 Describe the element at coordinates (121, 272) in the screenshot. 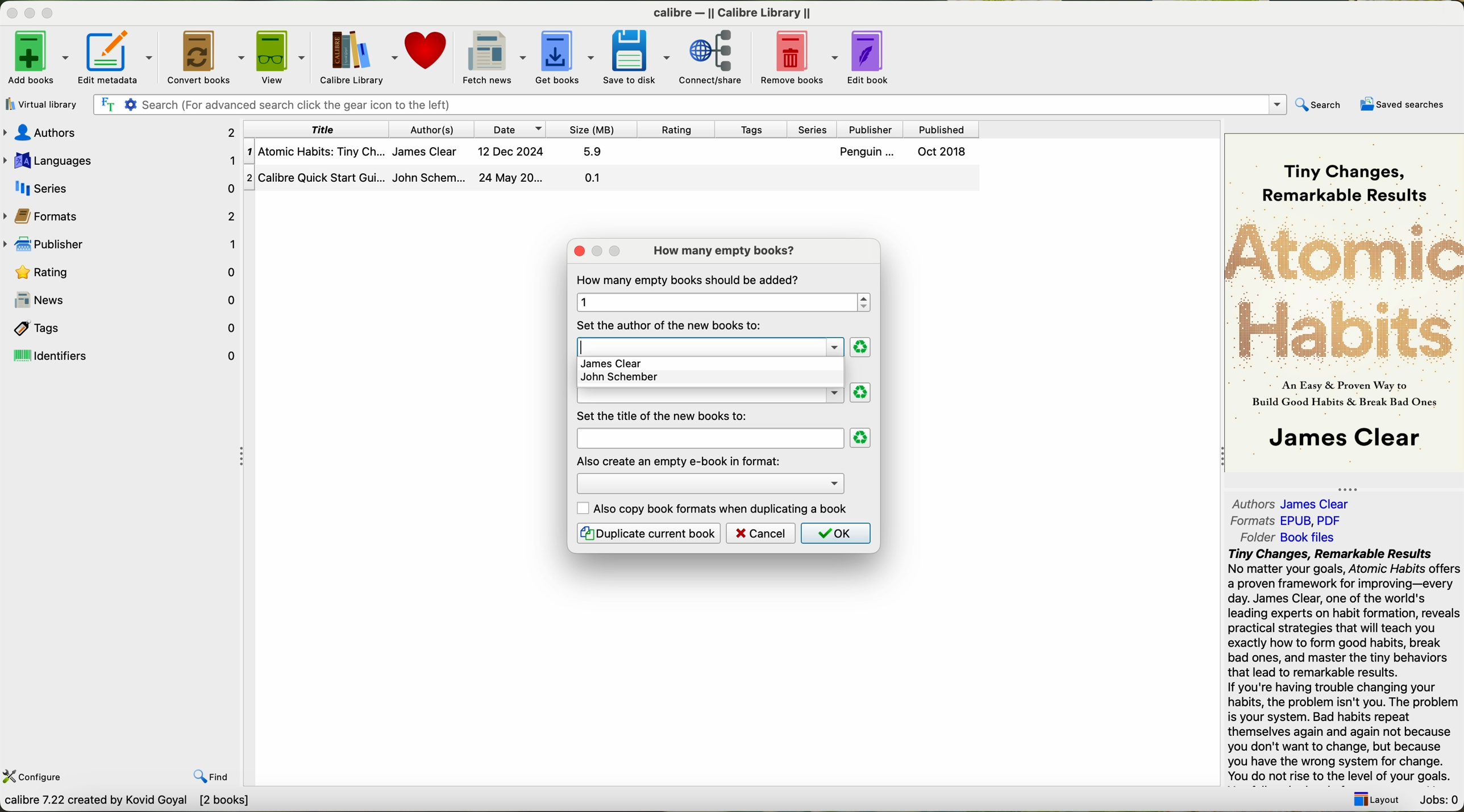

I see `rating` at that location.